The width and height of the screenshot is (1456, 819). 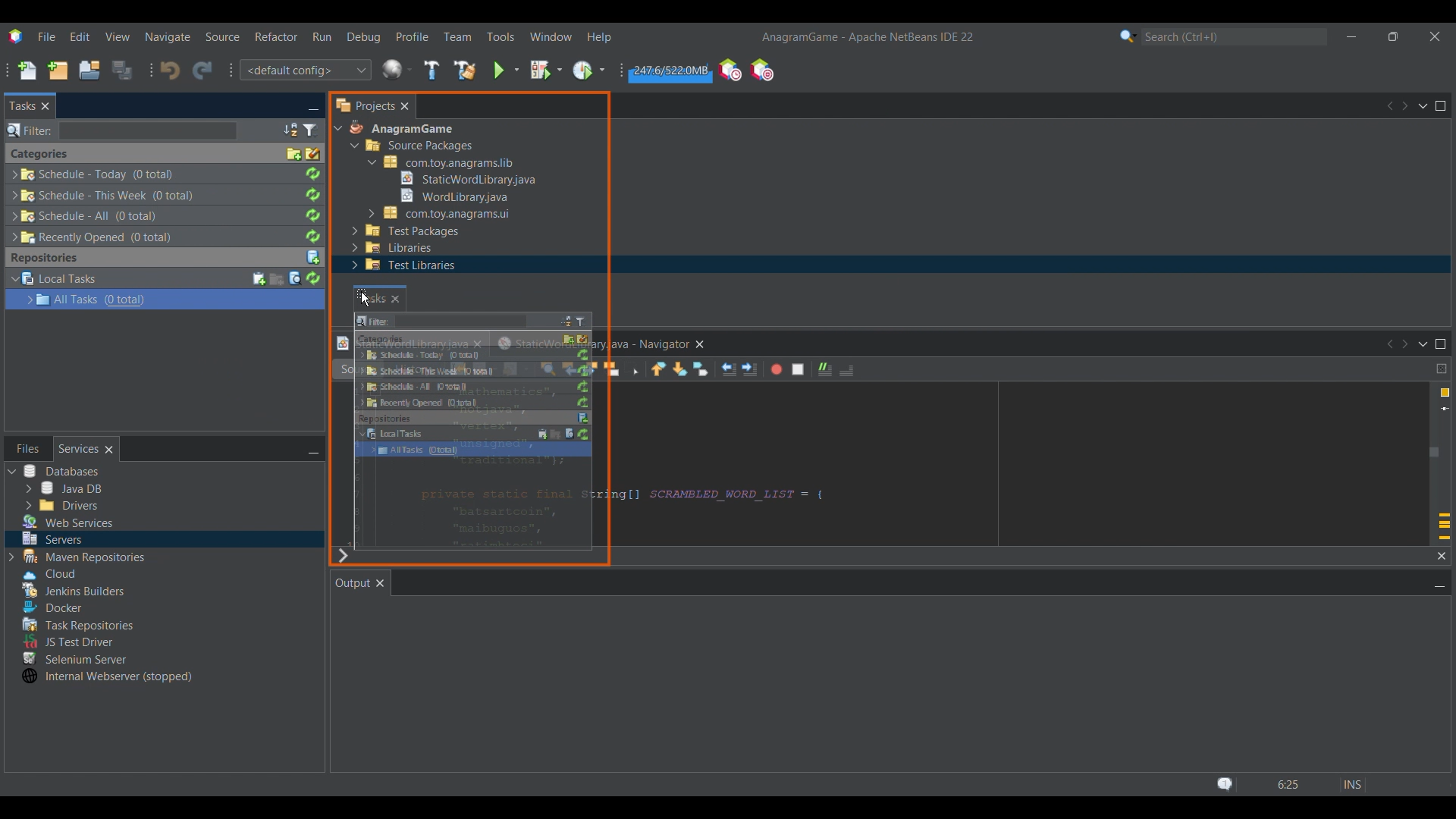 I want to click on Shift line right, so click(x=750, y=369).